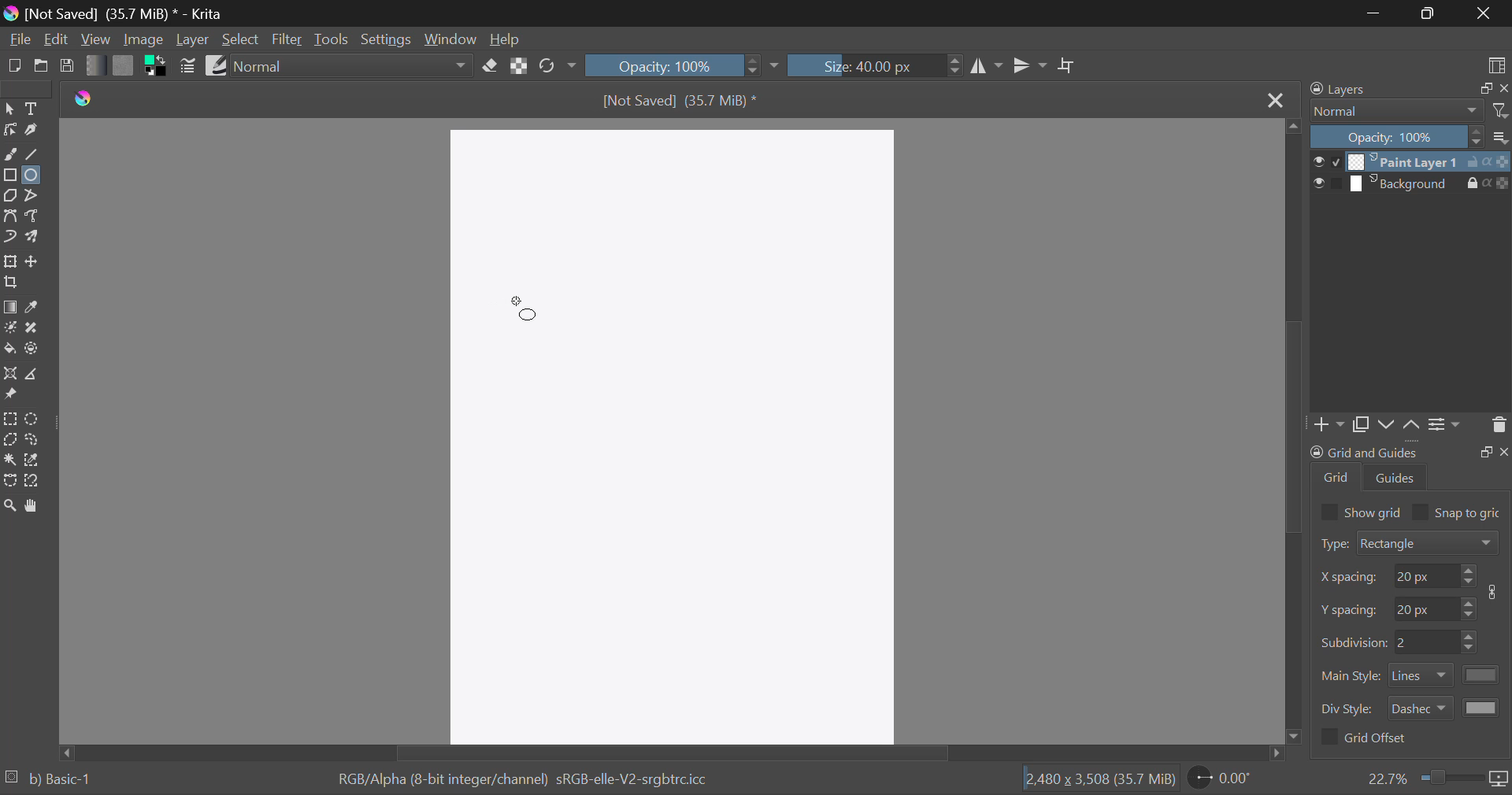  What do you see at coordinates (9, 419) in the screenshot?
I see `Rectangular Selection` at bounding box center [9, 419].